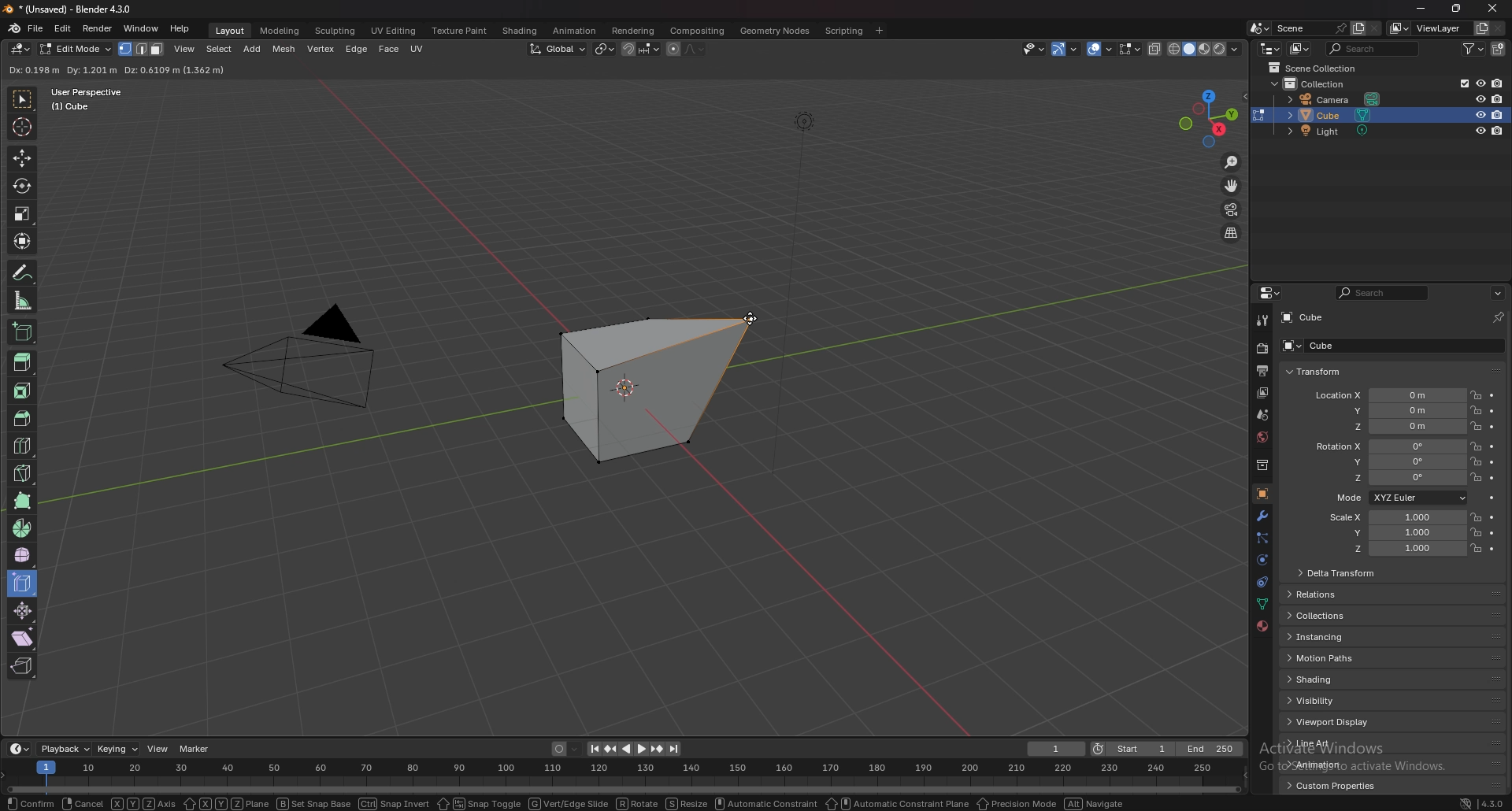 The width and height of the screenshot is (1512, 811). I want to click on zoom, so click(1232, 163).